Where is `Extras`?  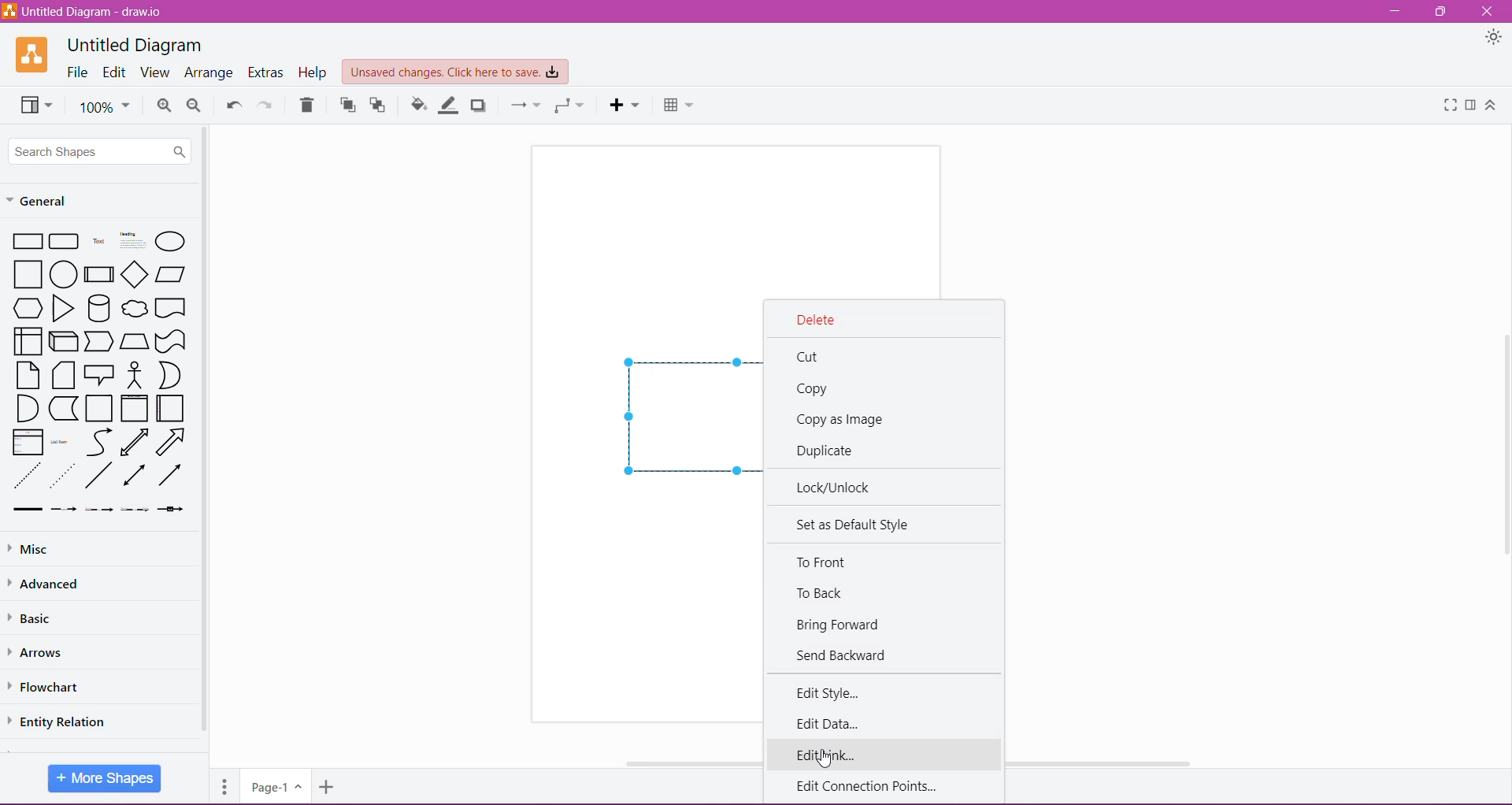 Extras is located at coordinates (266, 72).